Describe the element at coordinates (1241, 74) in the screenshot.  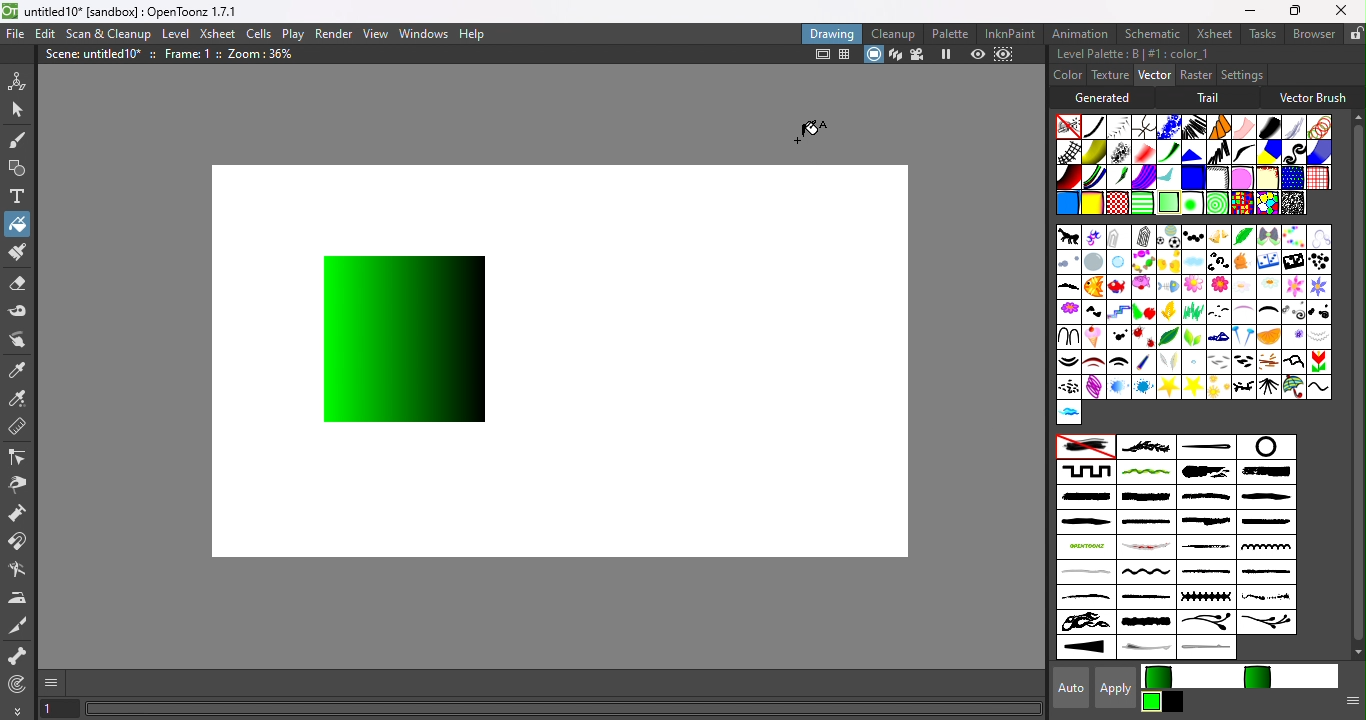
I see `Settings` at that location.